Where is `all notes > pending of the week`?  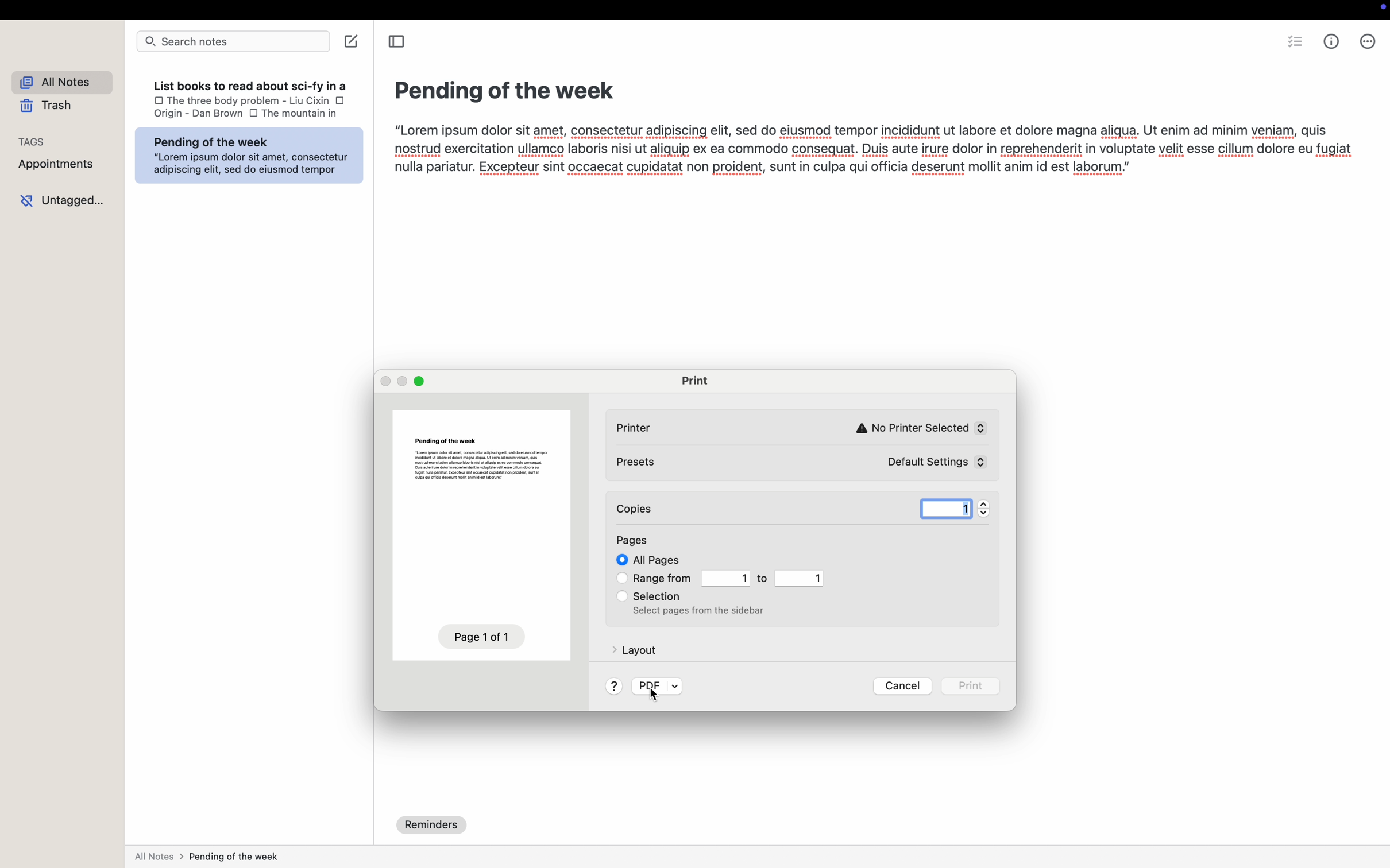 all notes > pending of the week is located at coordinates (210, 858).